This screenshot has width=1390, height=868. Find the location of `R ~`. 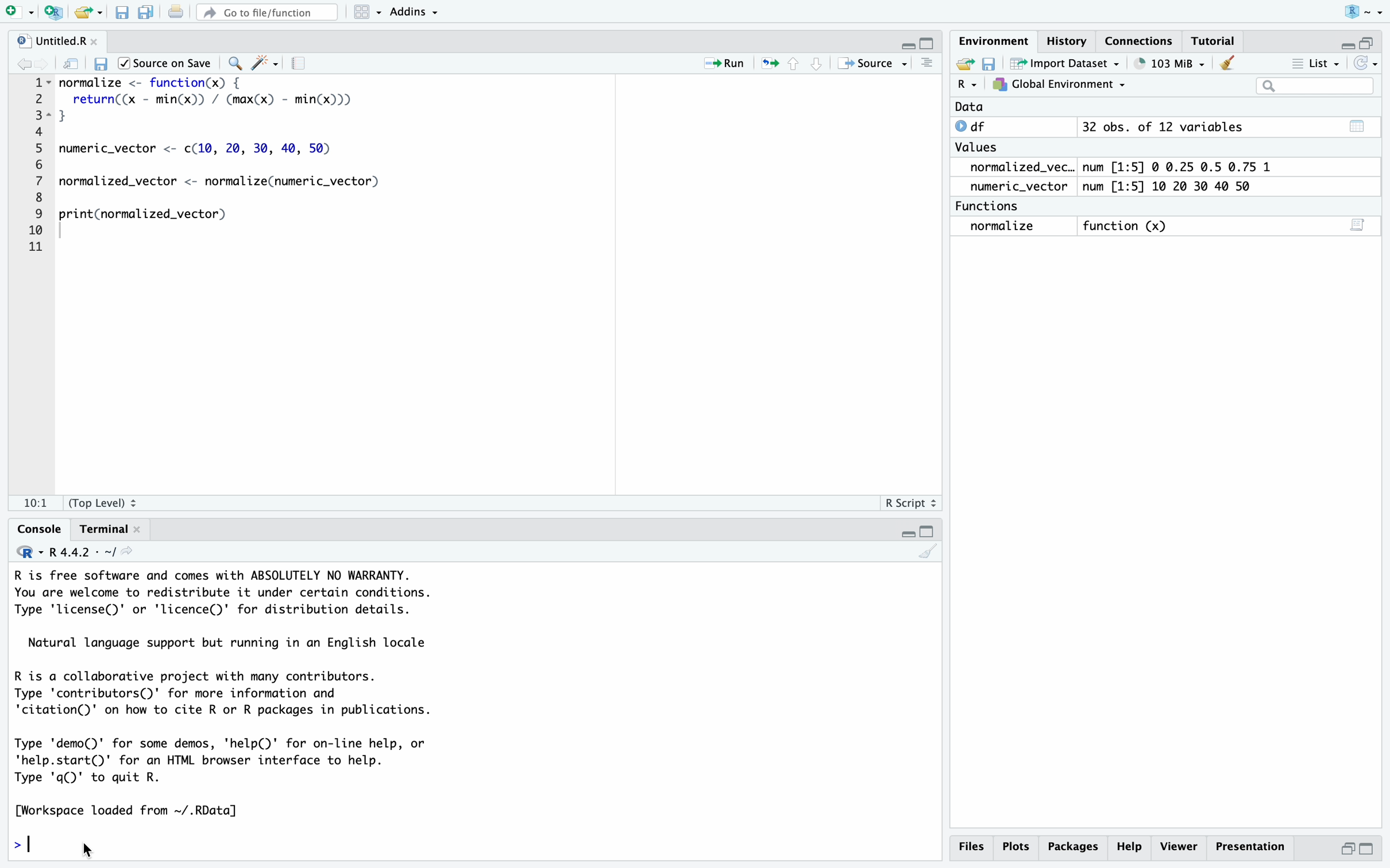

R ~ is located at coordinates (1361, 13).